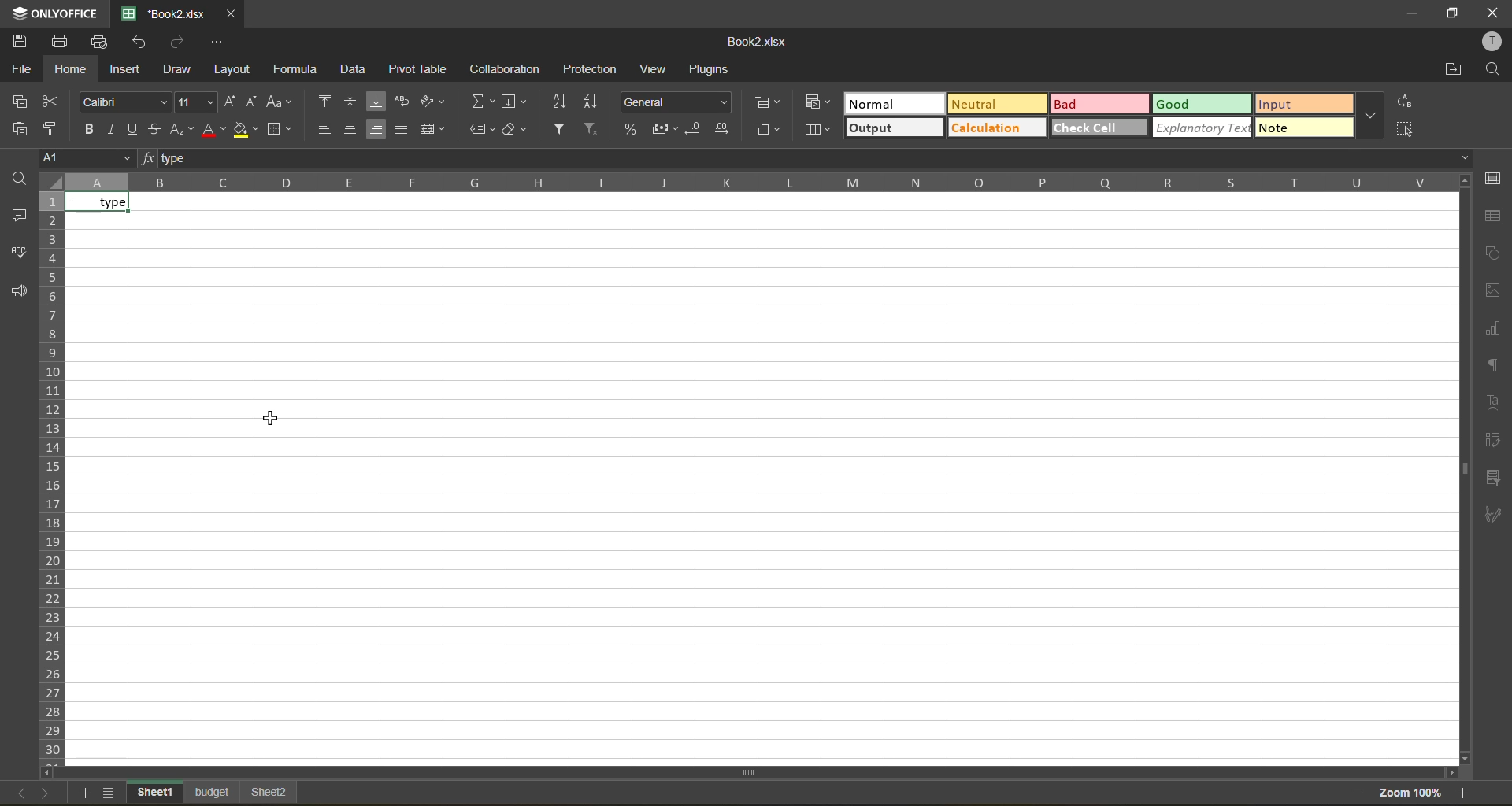 The image size is (1512, 806). Describe the element at coordinates (251, 104) in the screenshot. I see `decrement size` at that location.